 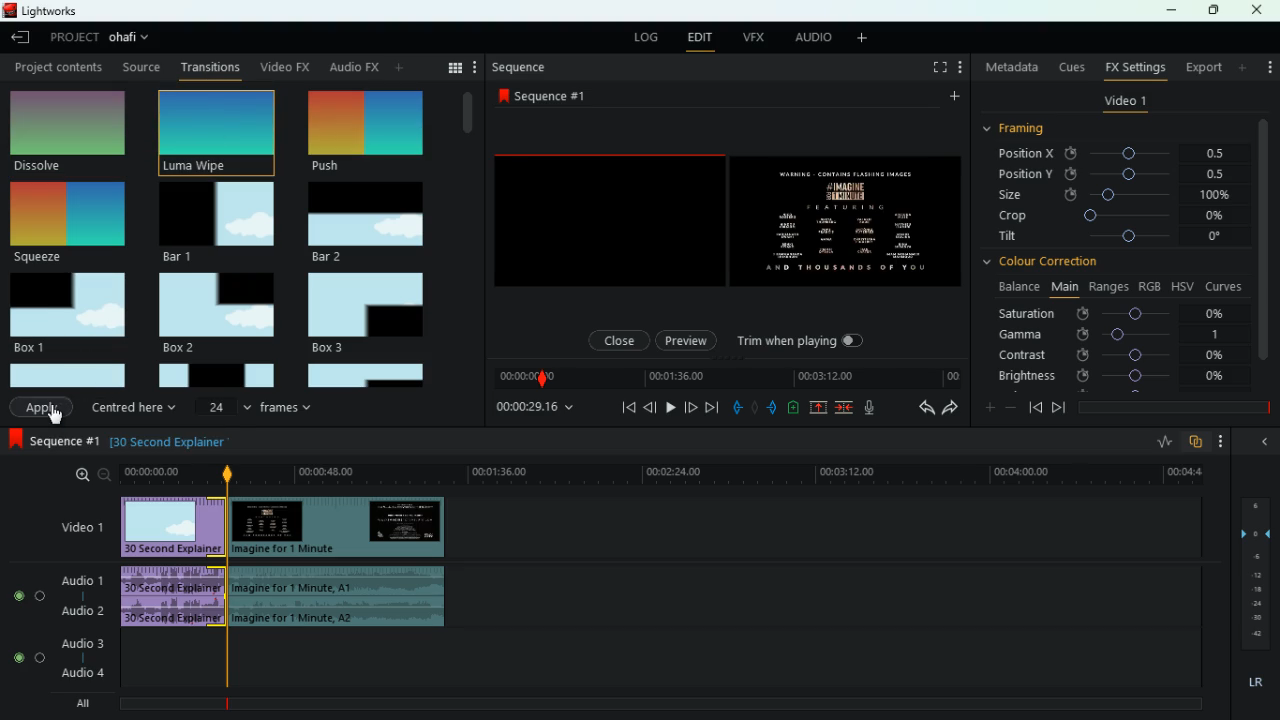 What do you see at coordinates (963, 69) in the screenshot?
I see `more` at bounding box center [963, 69].